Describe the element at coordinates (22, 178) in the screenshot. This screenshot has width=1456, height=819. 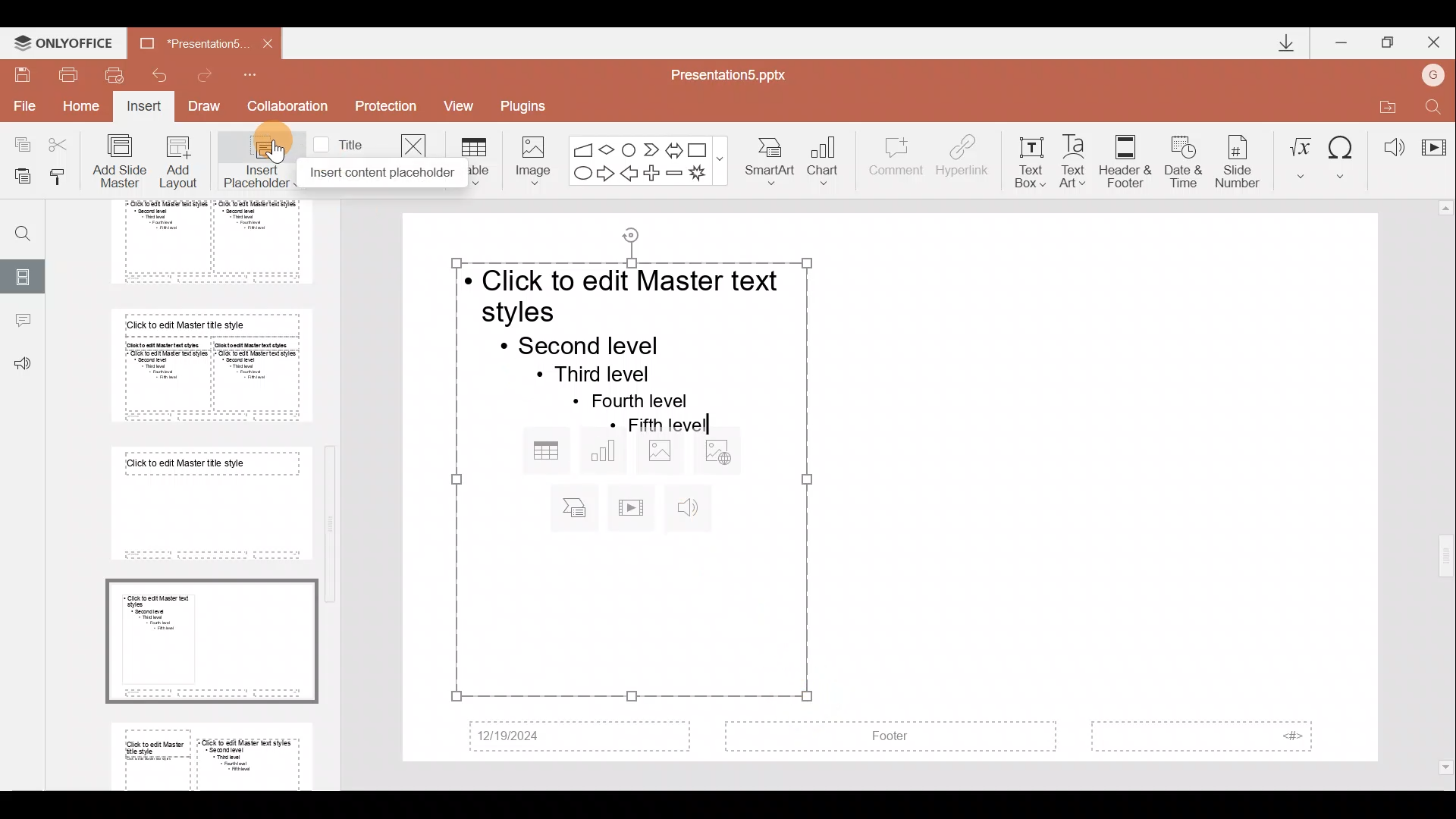
I see `Paste` at that location.